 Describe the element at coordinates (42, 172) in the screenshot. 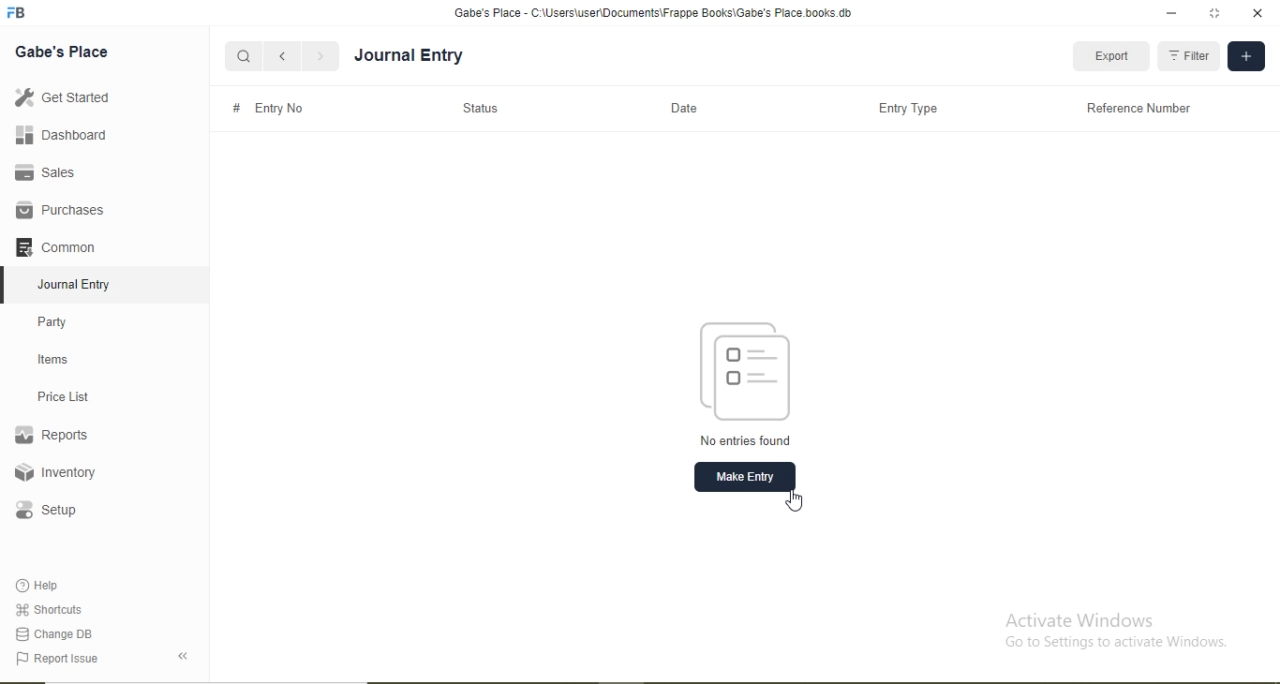

I see `Sales` at that location.